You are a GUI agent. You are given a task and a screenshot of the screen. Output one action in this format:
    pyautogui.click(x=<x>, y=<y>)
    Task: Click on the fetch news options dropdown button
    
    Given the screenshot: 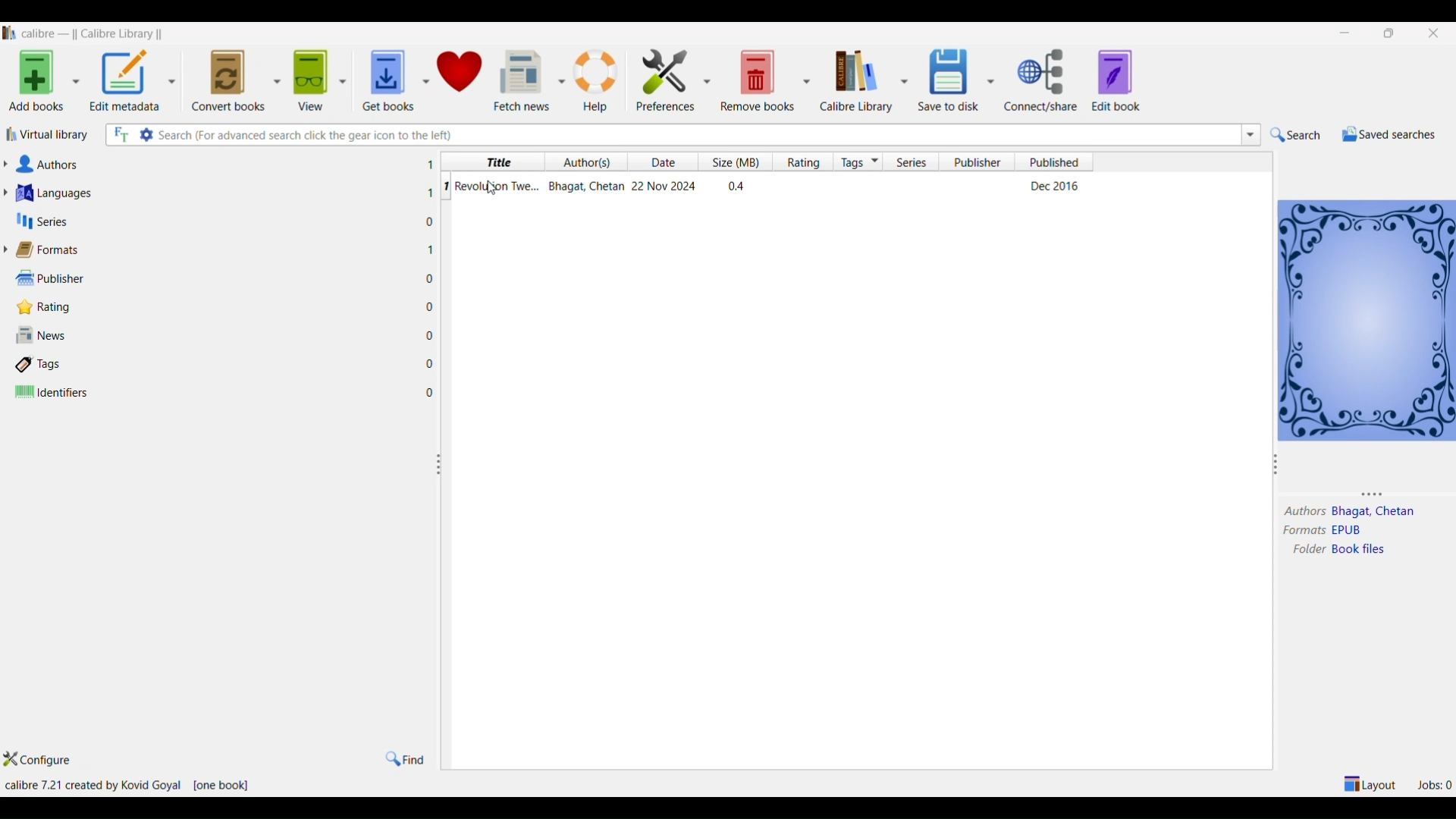 What is the action you would take?
    pyautogui.click(x=561, y=80)
    